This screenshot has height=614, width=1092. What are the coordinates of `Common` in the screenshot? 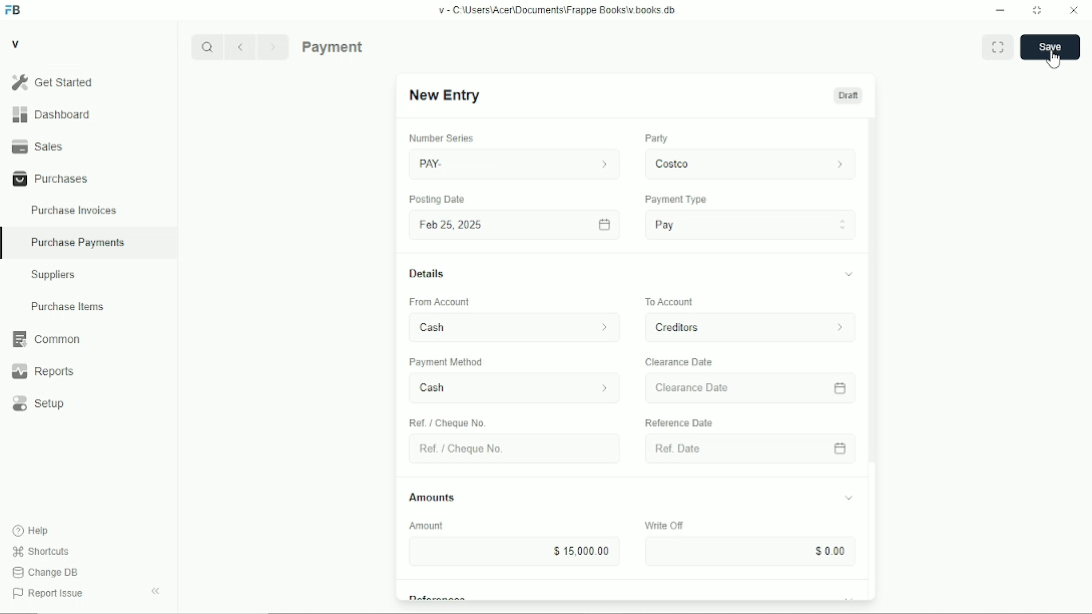 It's located at (89, 339).